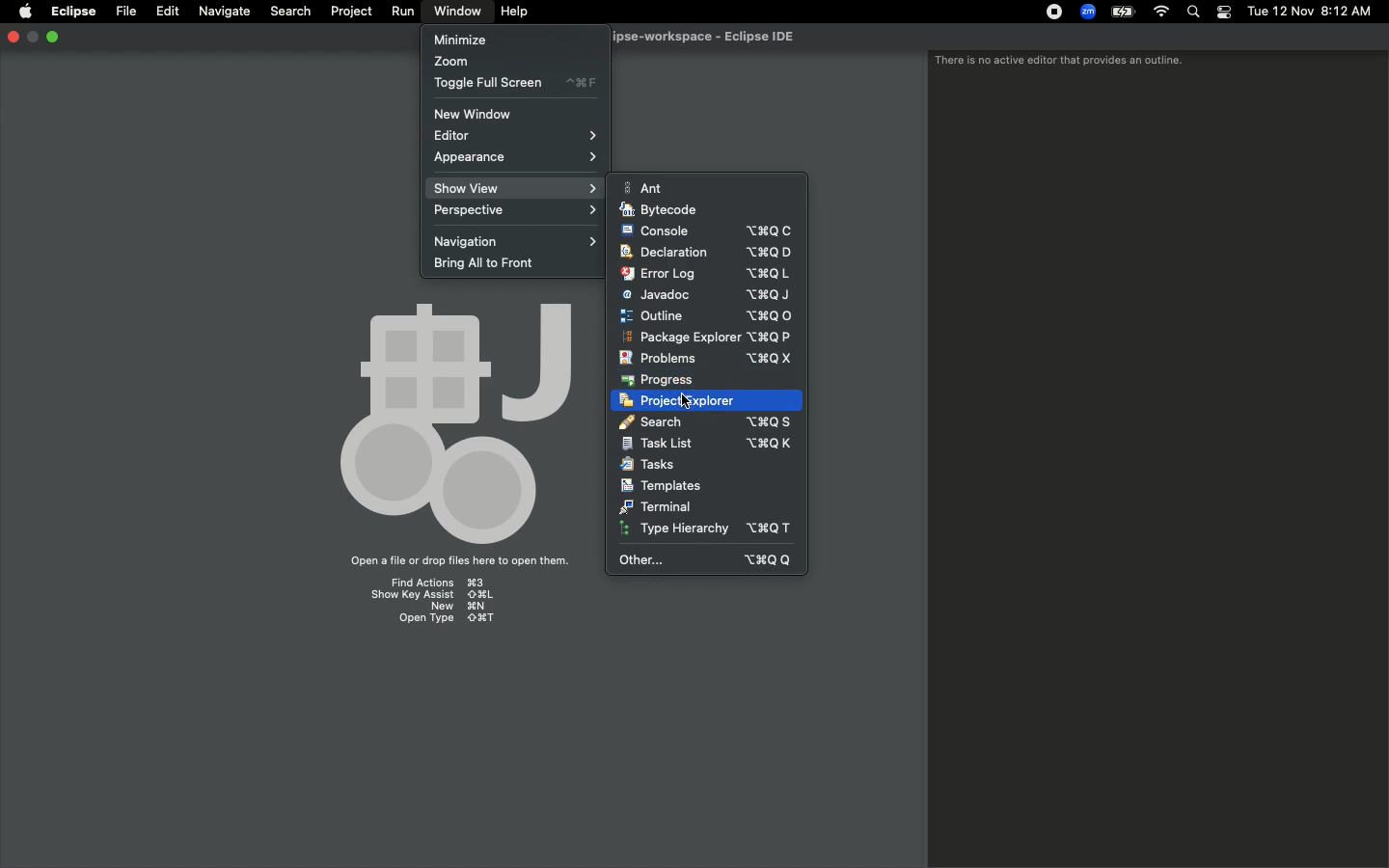 The width and height of the screenshot is (1389, 868). Describe the element at coordinates (664, 207) in the screenshot. I see `Bytecode` at that location.